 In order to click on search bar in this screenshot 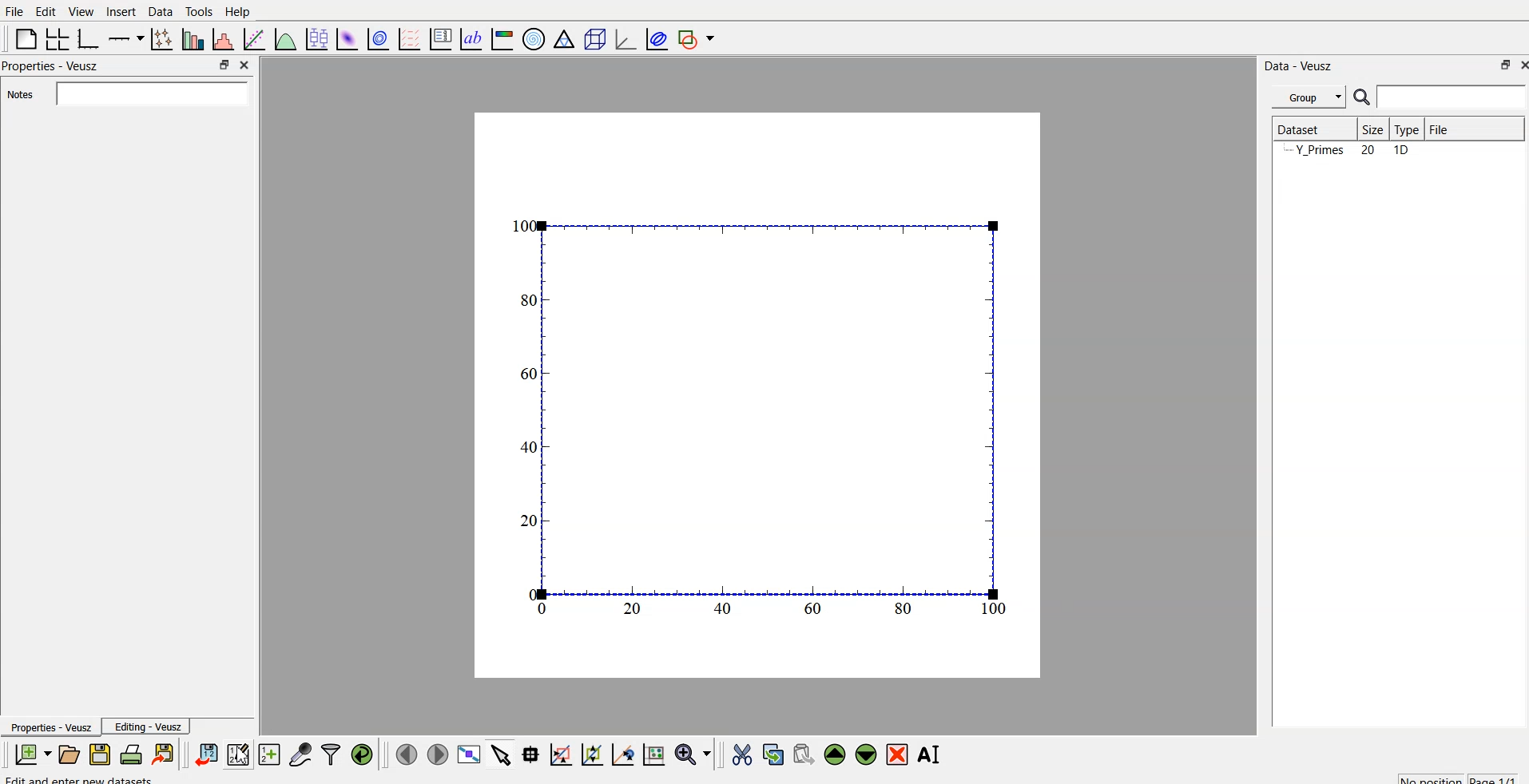, I will do `click(149, 93)`.